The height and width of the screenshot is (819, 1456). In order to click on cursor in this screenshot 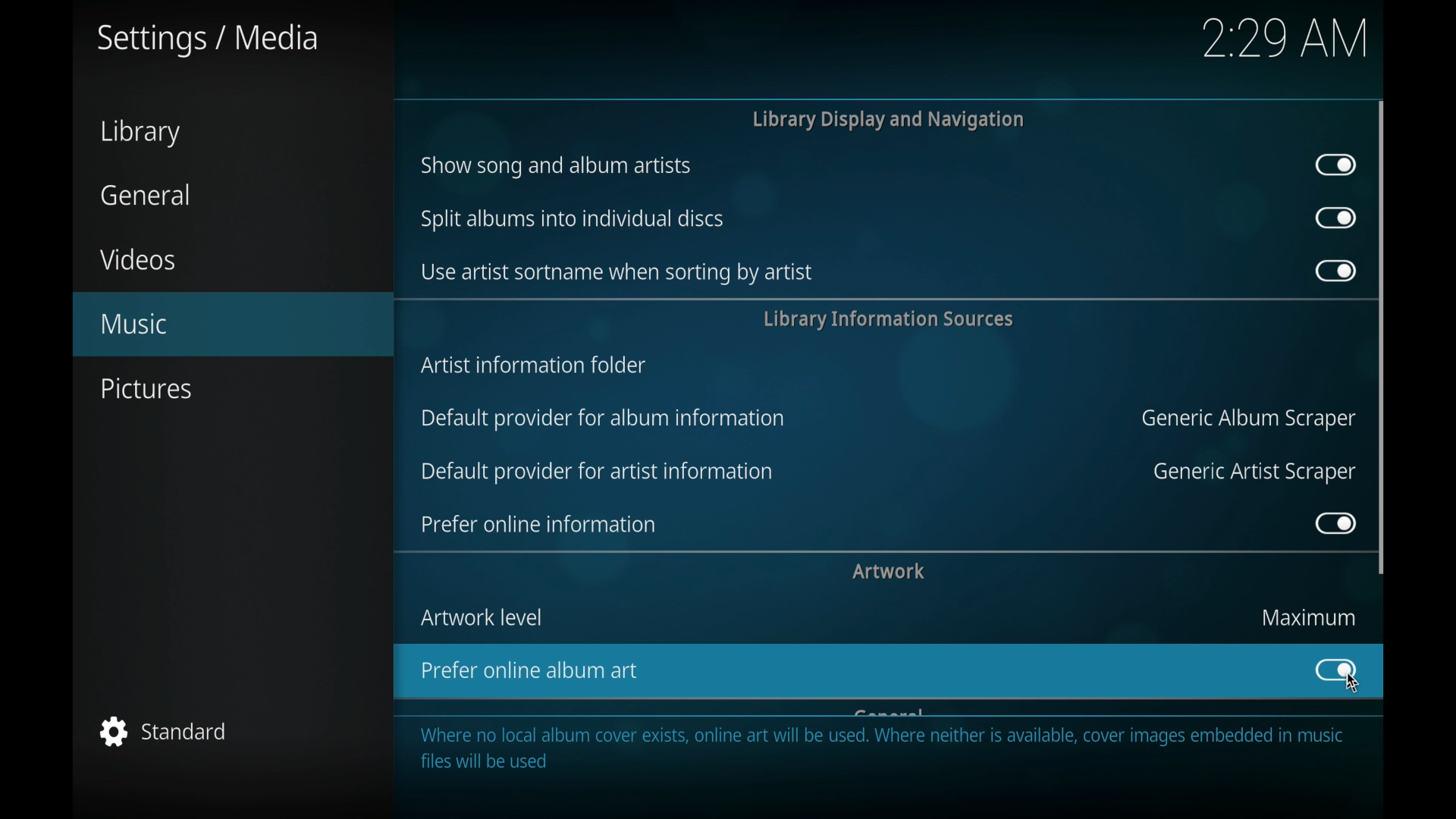, I will do `click(1354, 687)`.